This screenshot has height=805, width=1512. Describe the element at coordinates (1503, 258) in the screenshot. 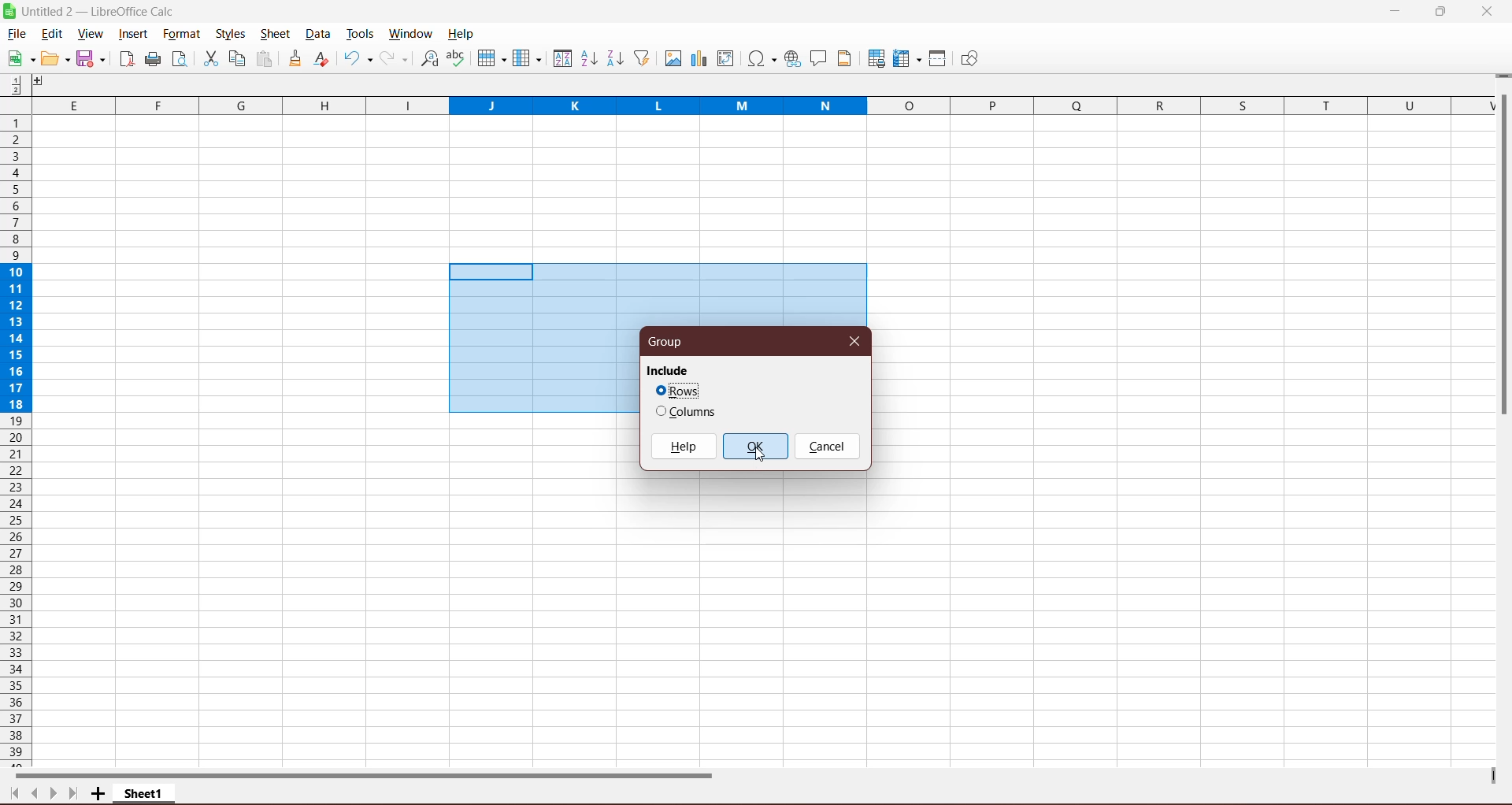

I see `Vertical Scroll Bar` at that location.